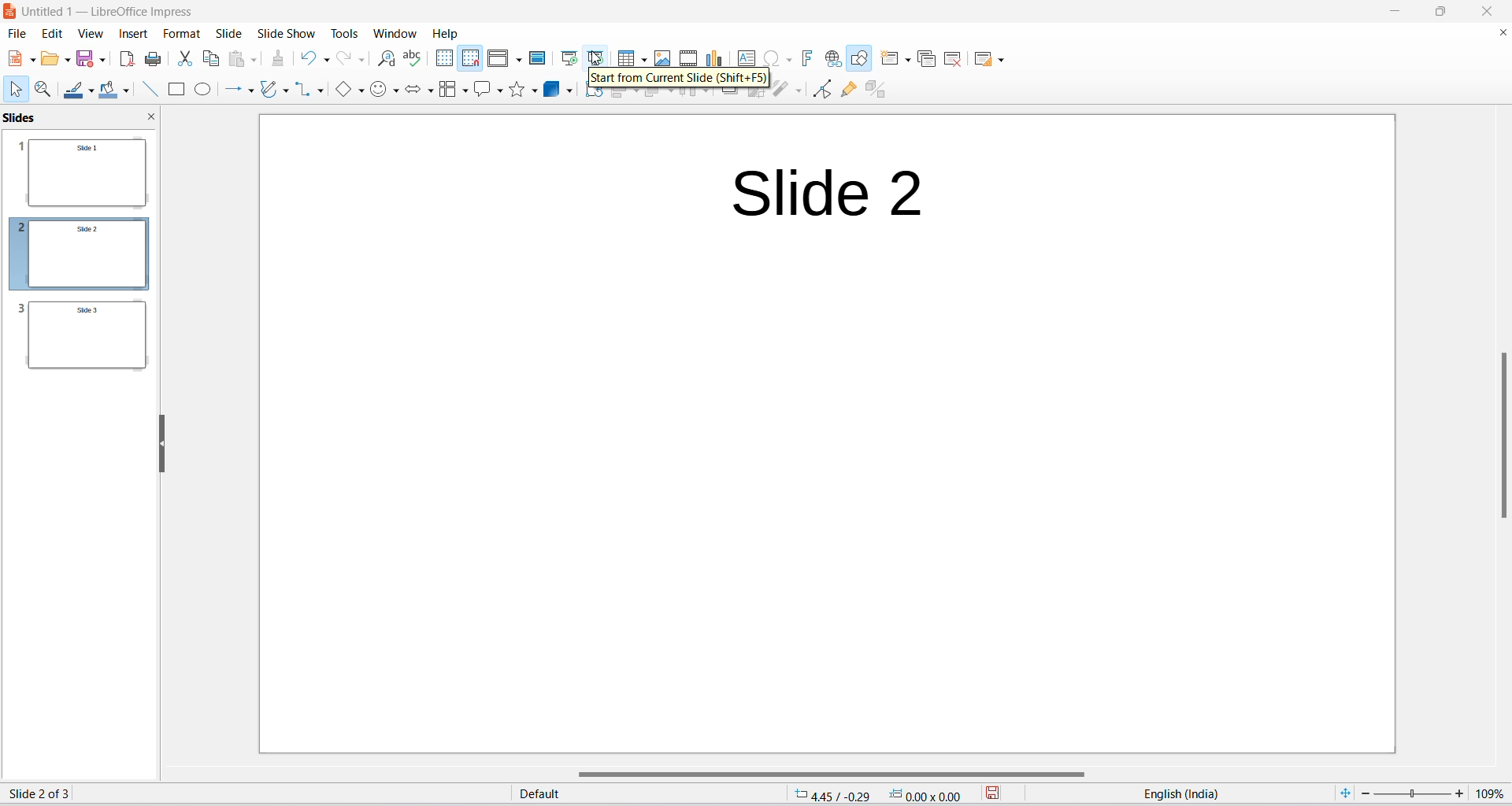 The image size is (1512, 806). I want to click on arrange , so click(654, 96).